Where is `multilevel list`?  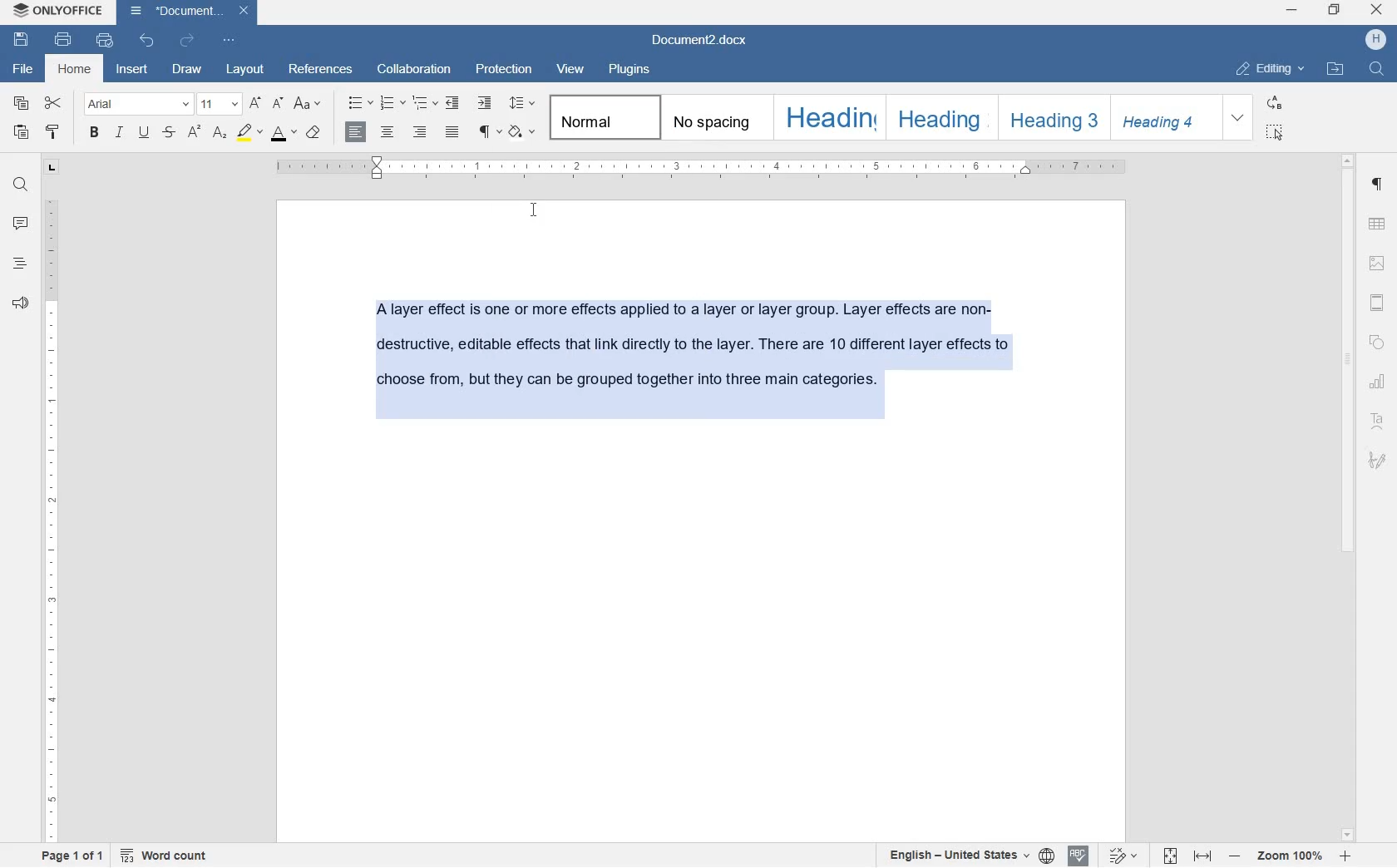 multilevel list is located at coordinates (423, 104).